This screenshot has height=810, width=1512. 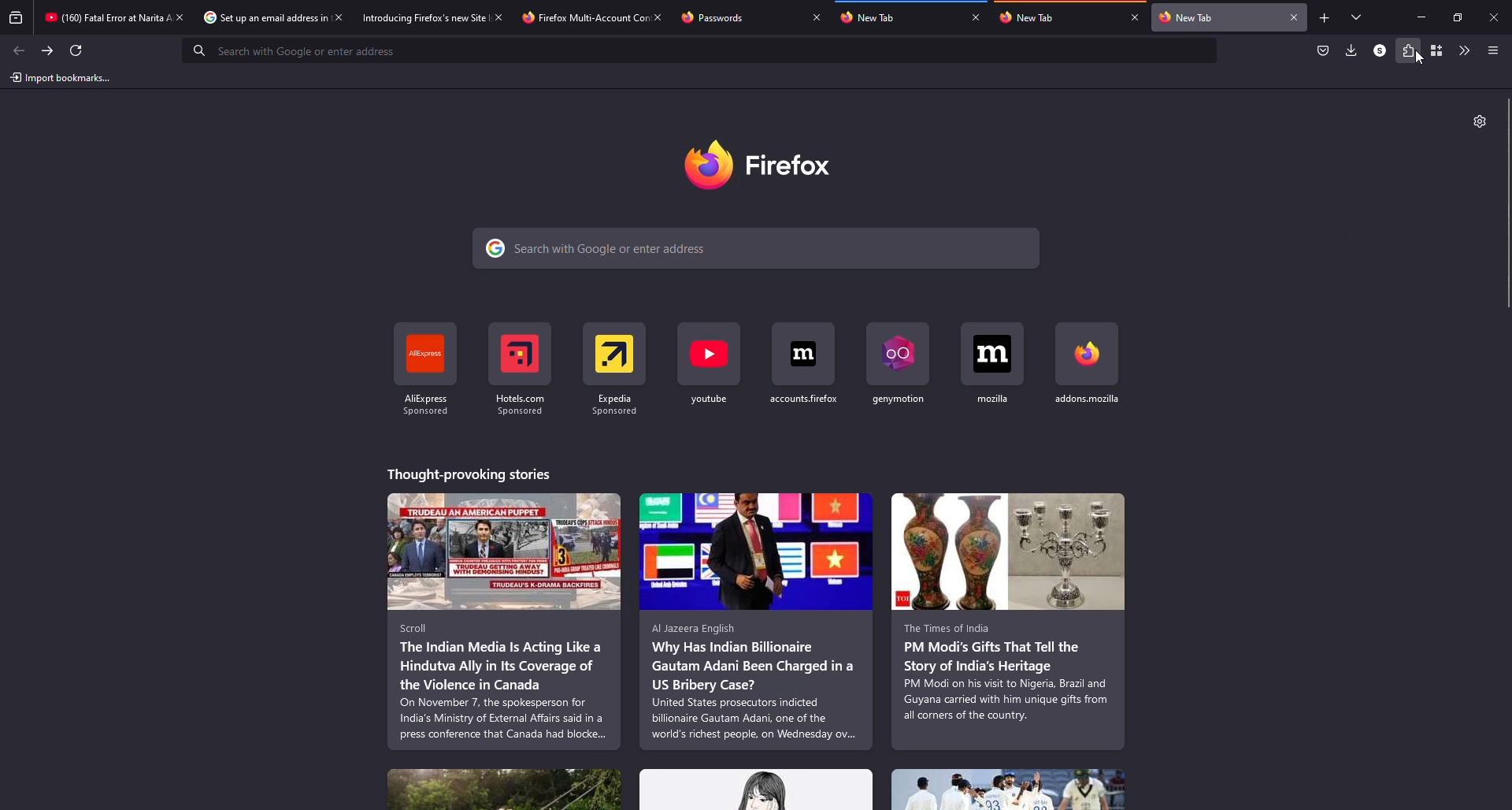 I want to click on save to packet, so click(x=1324, y=50).